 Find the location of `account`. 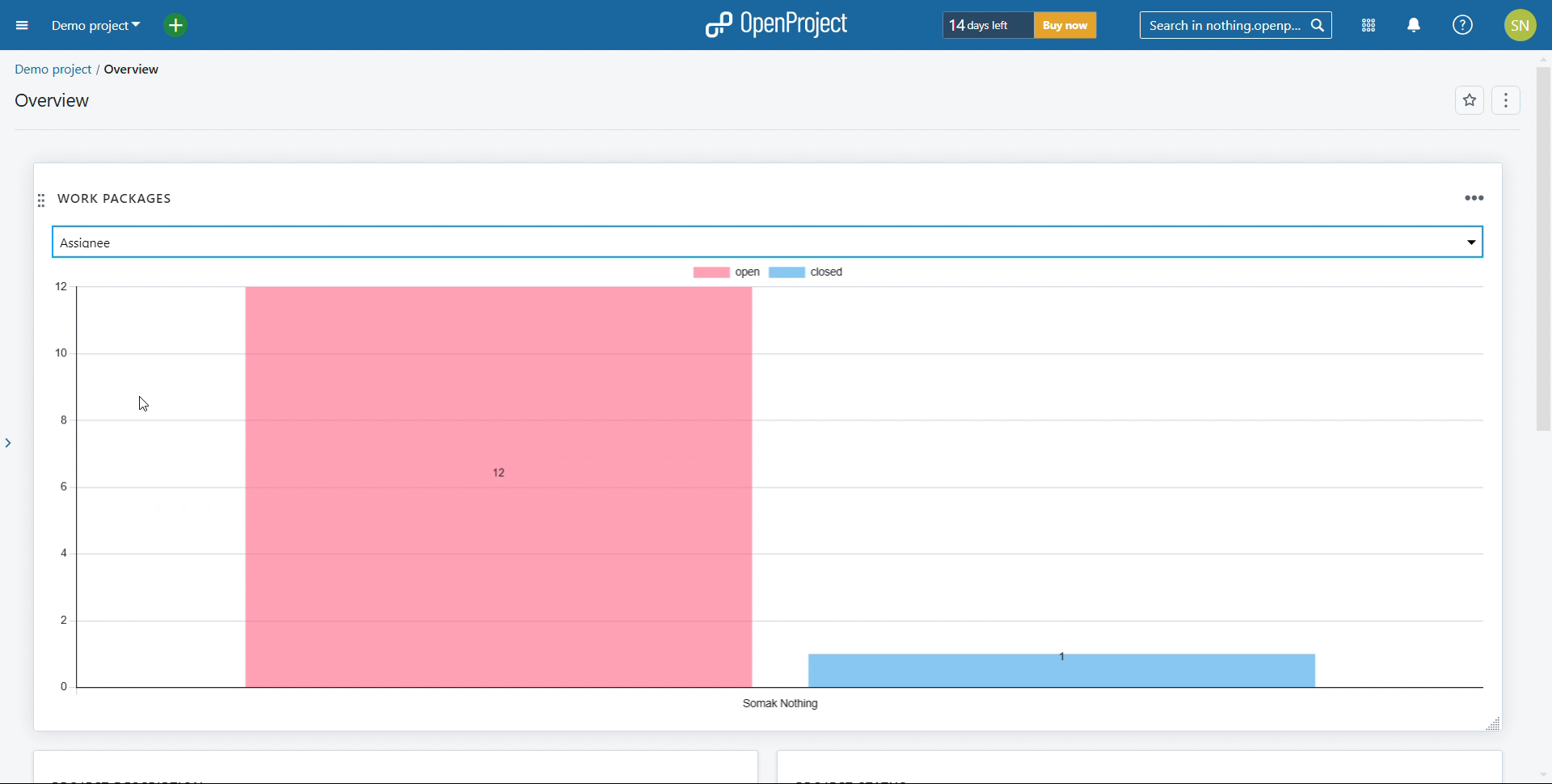

account is located at coordinates (1520, 24).